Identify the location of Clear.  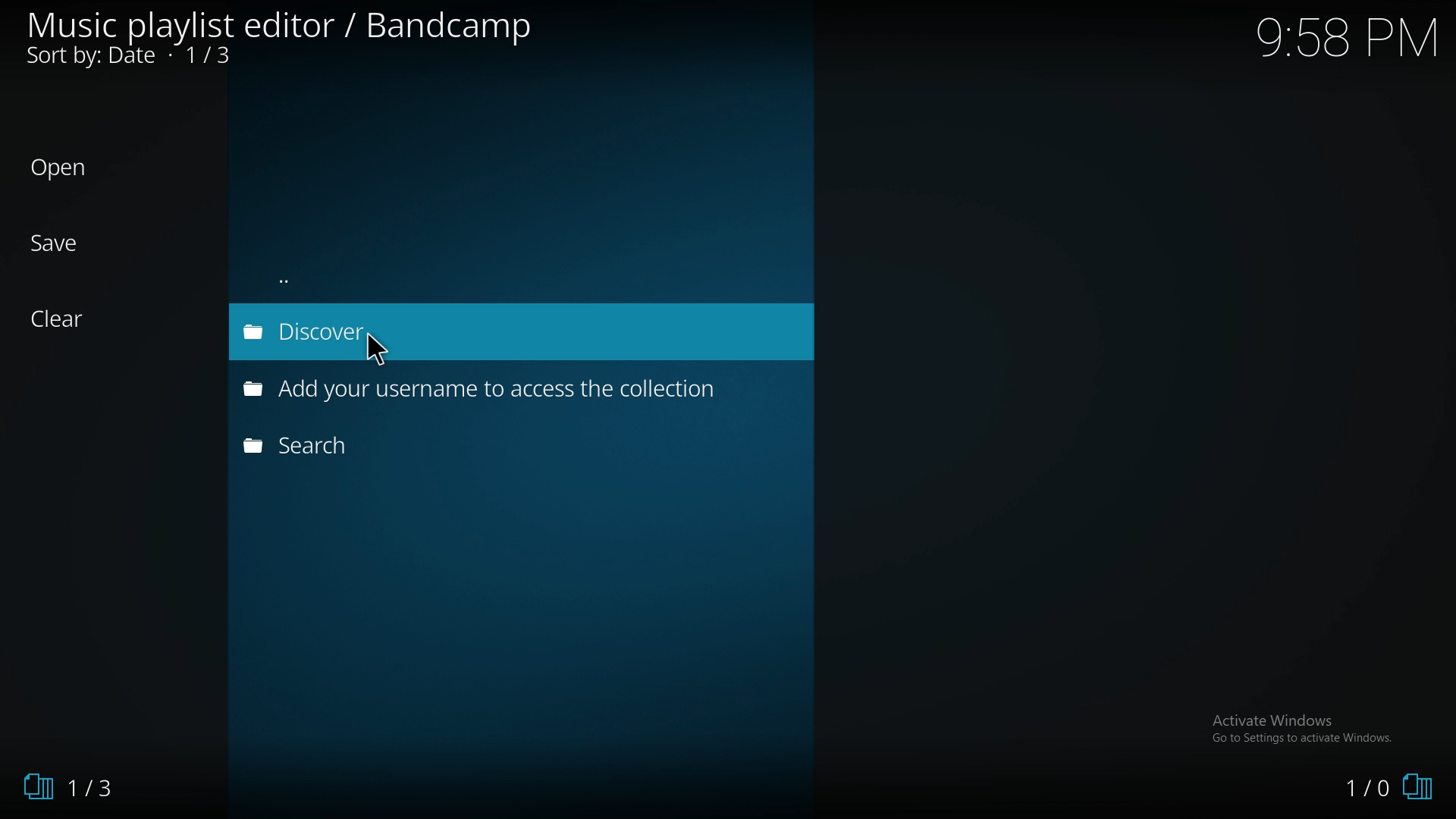
(66, 319).